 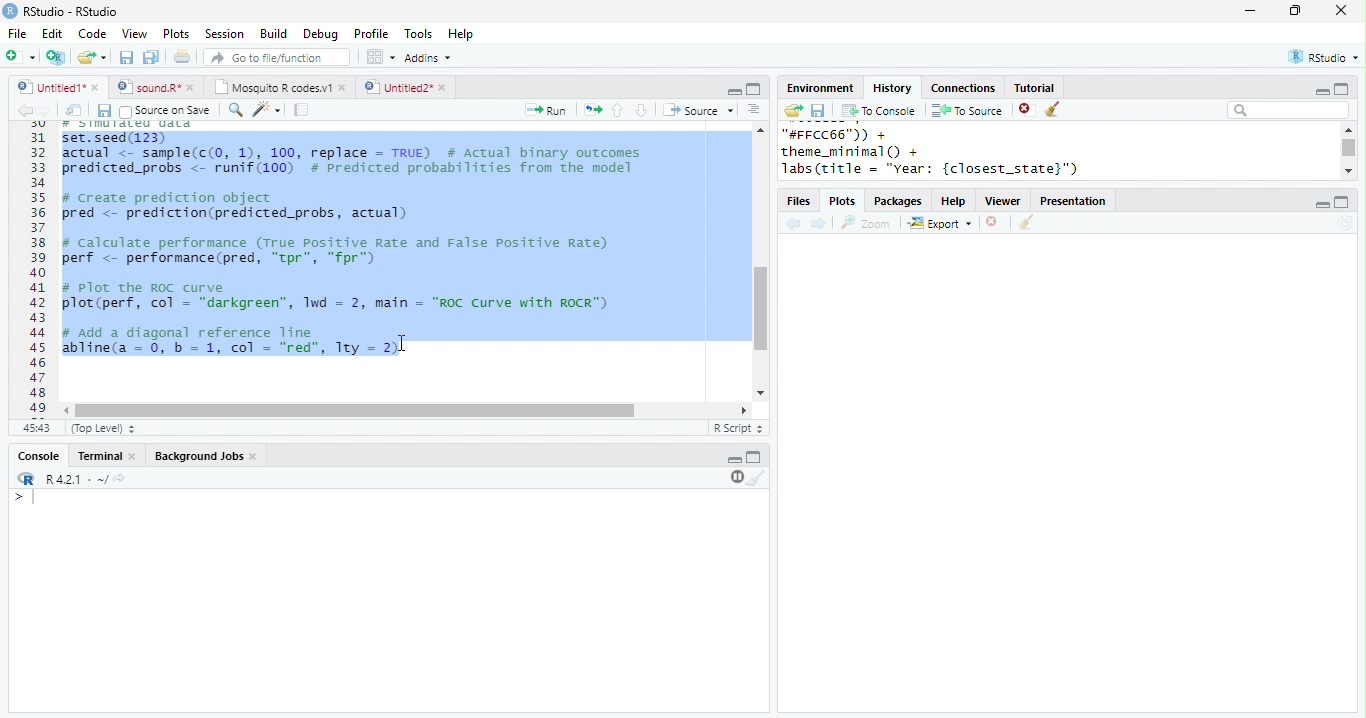 I want to click on scroll bar, so click(x=1350, y=148).